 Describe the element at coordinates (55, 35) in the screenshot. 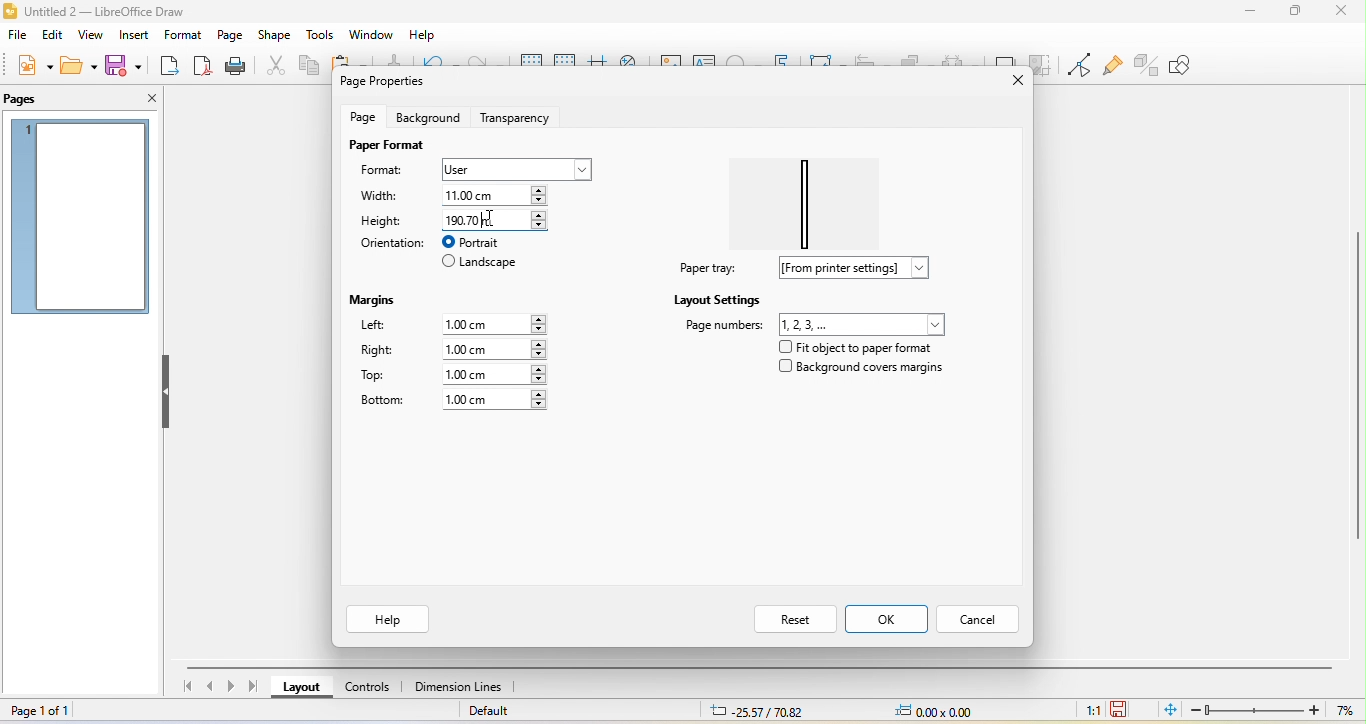

I see `edit` at that location.